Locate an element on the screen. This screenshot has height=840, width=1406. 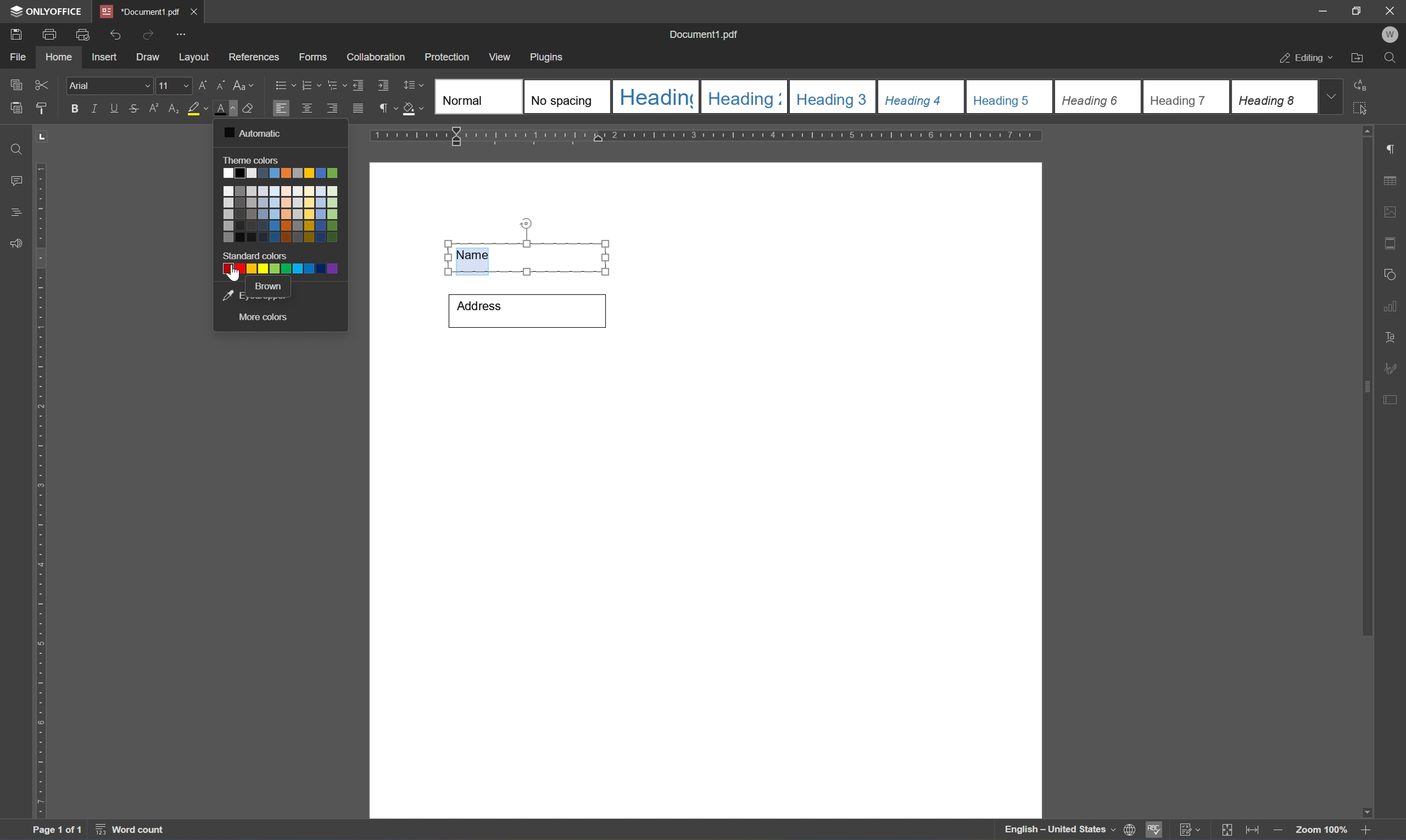
header and footer settings is located at coordinates (1390, 242).